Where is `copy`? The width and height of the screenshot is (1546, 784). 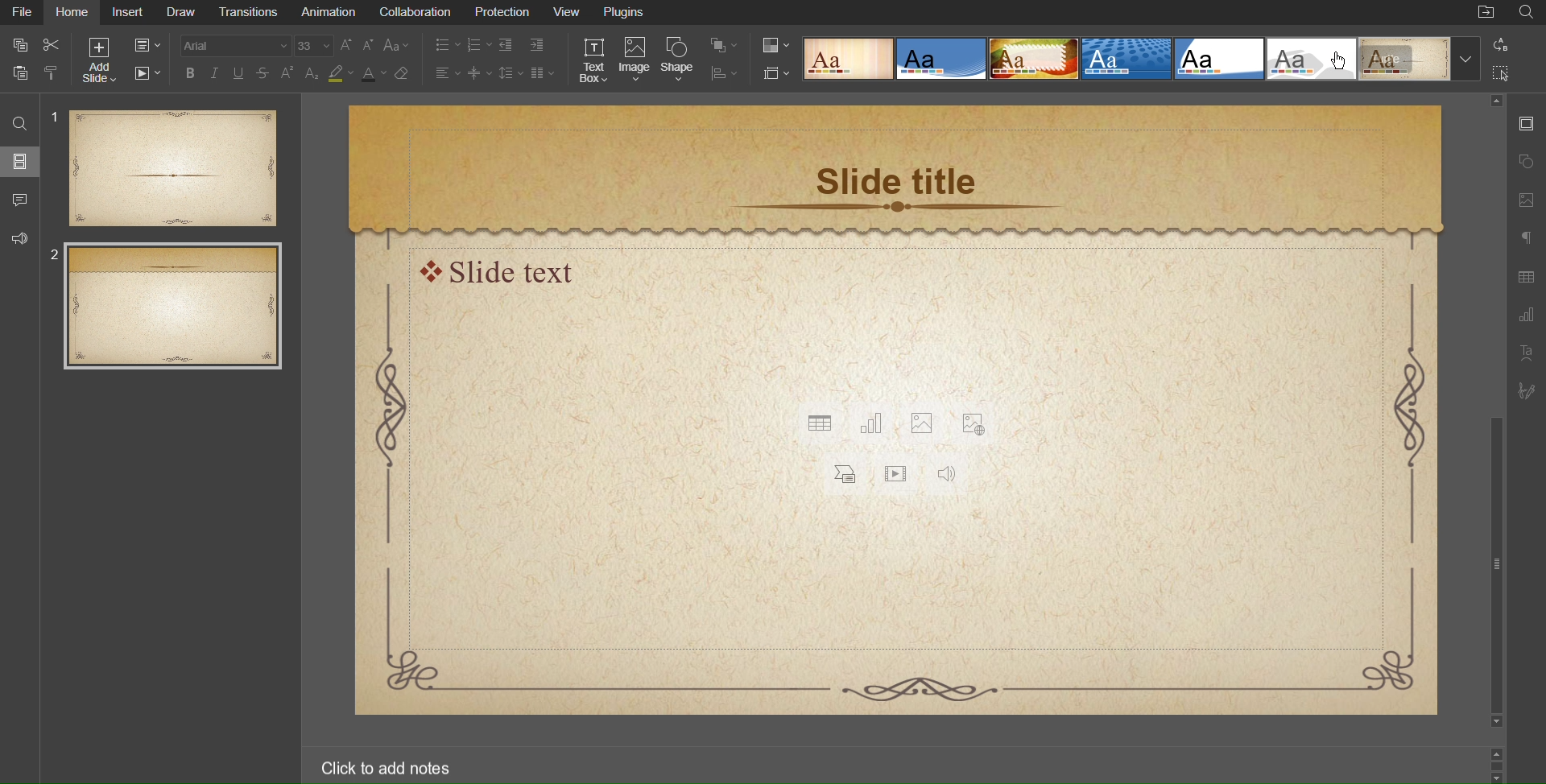
copy is located at coordinates (22, 47).